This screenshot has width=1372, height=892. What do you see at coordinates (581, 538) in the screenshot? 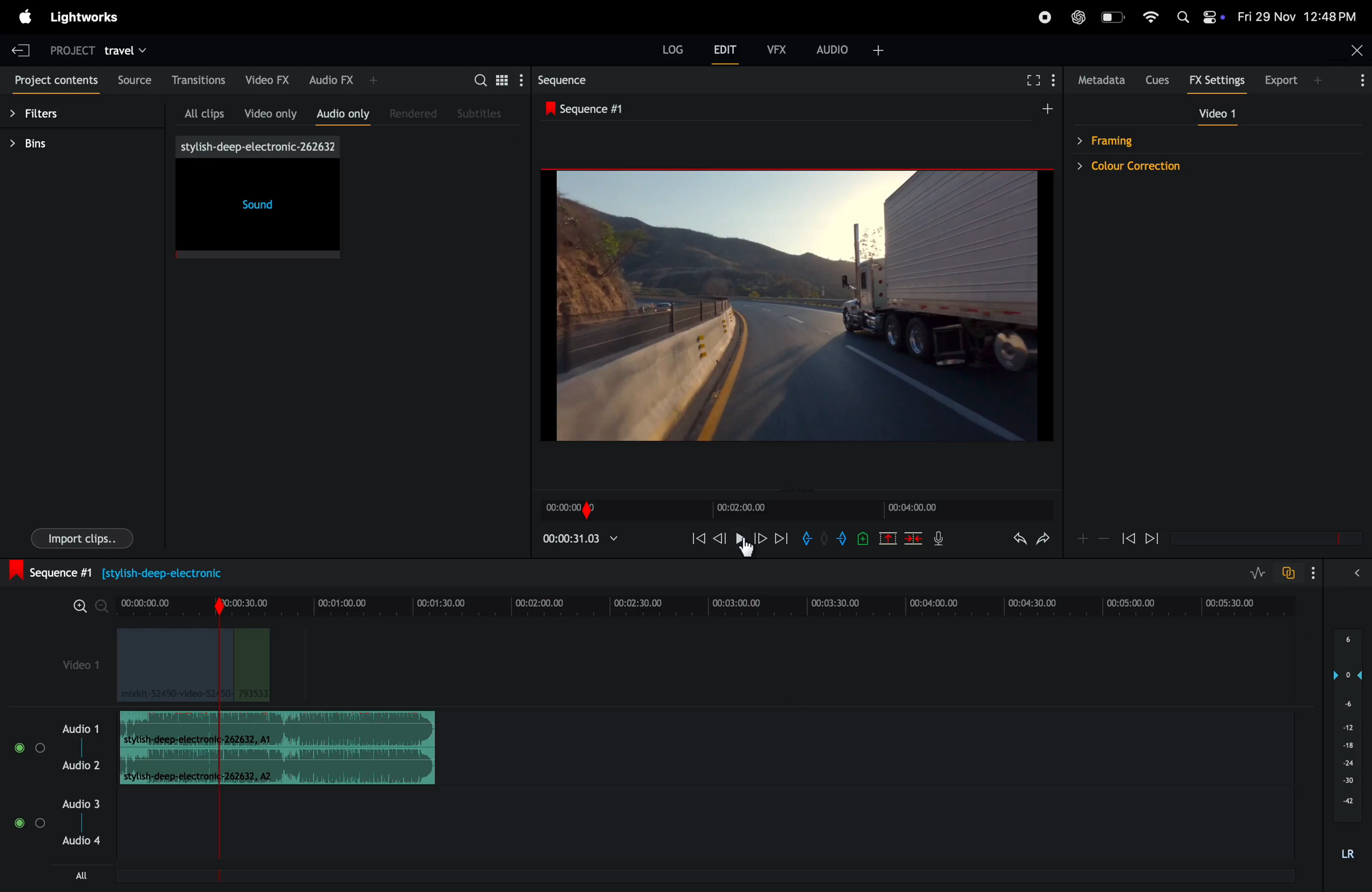
I see `play back time` at bounding box center [581, 538].